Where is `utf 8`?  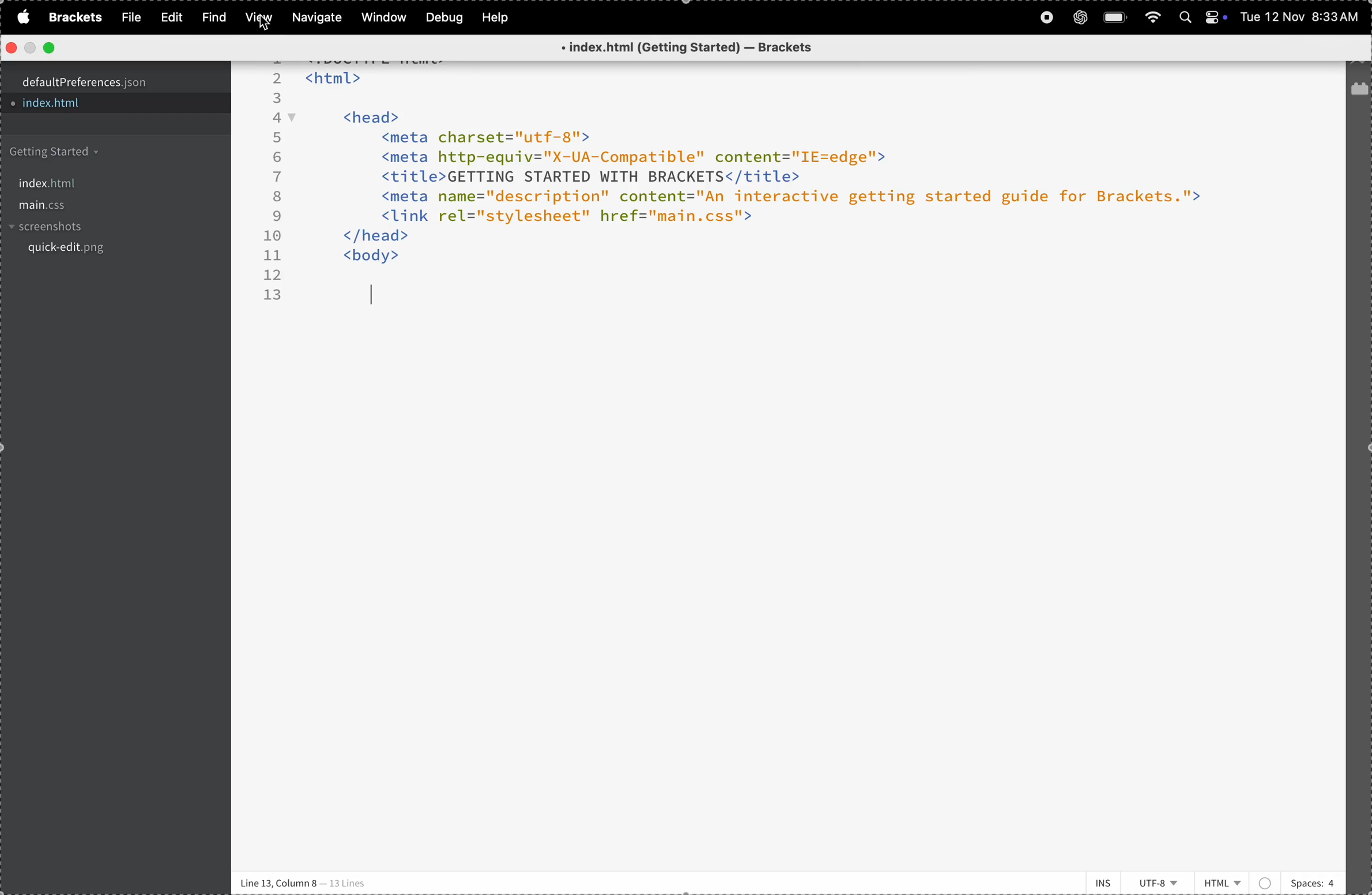
utf 8 is located at coordinates (1160, 883).